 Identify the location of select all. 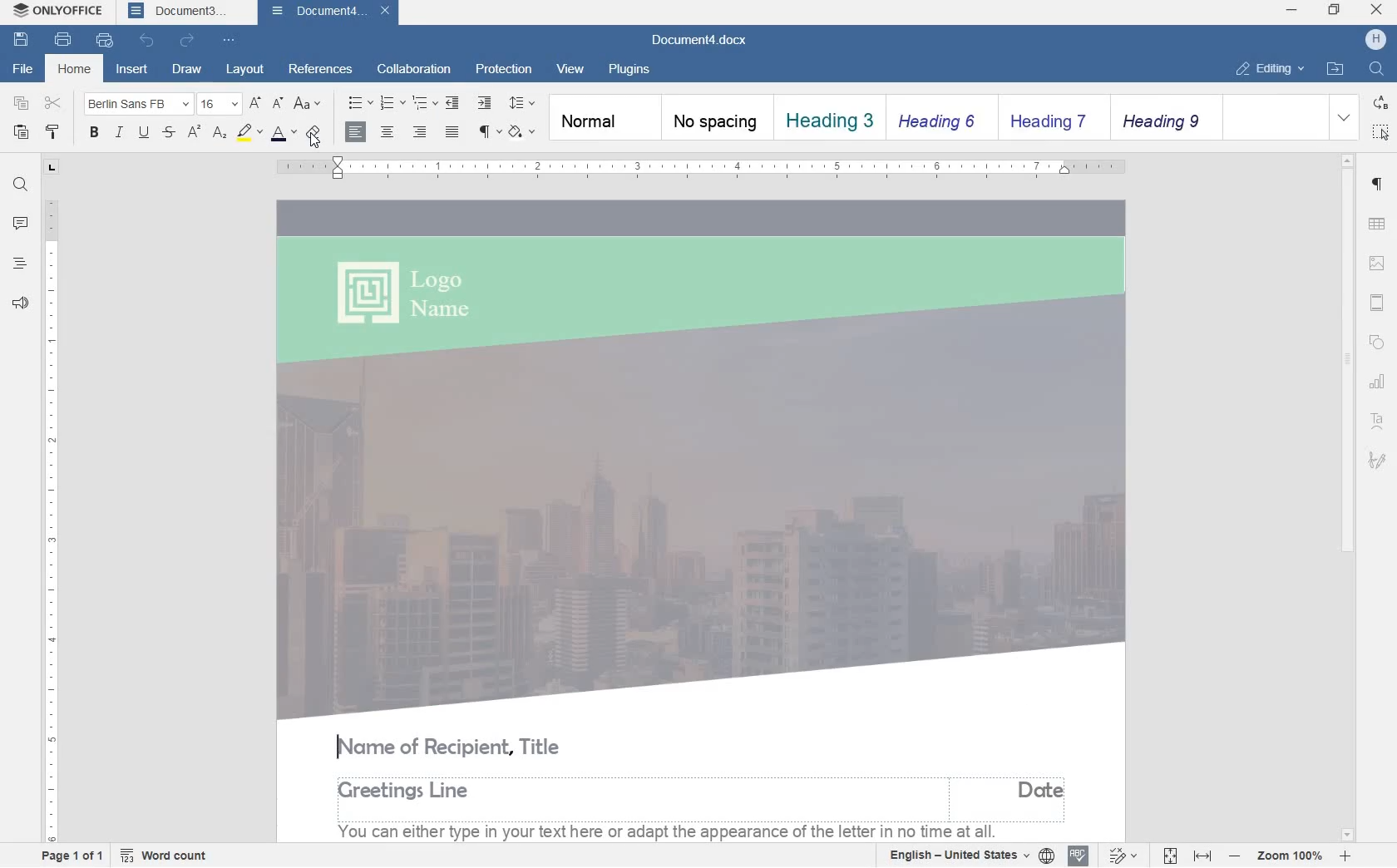
(1381, 131).